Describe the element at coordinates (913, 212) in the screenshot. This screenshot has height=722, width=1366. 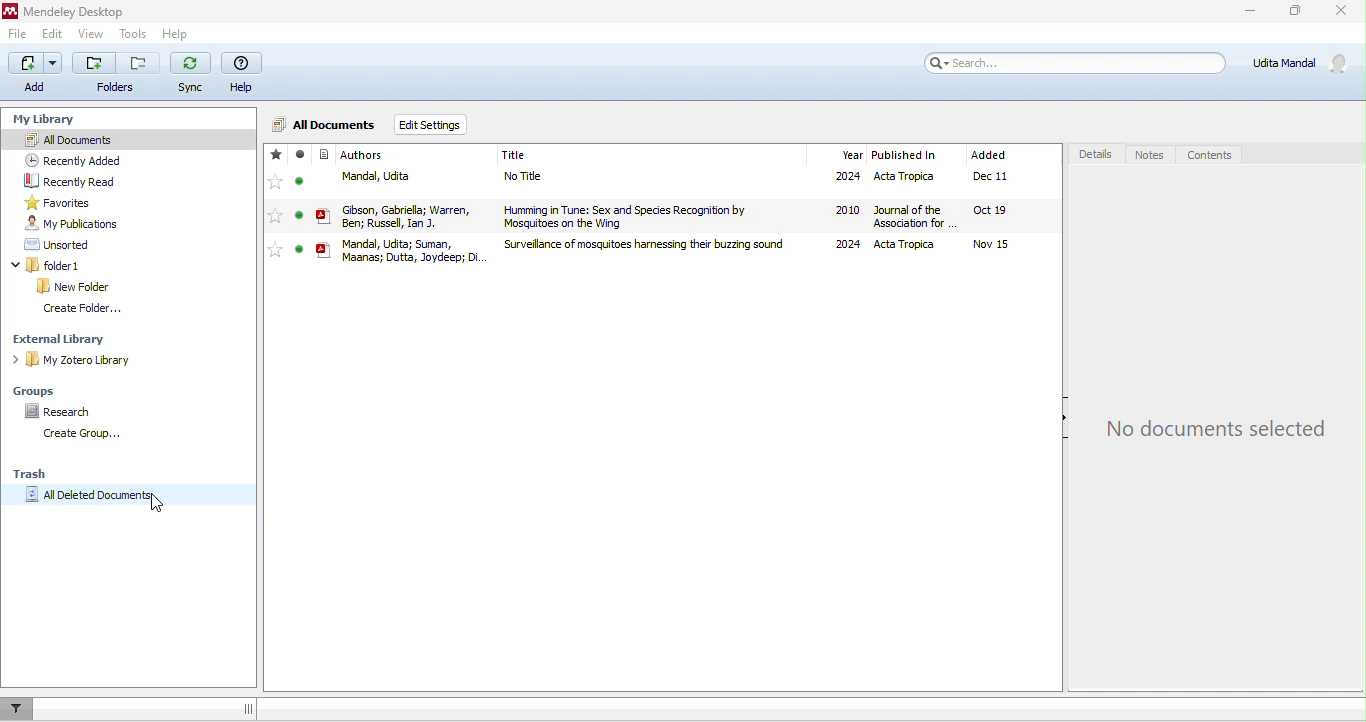
I see `Acta Tropica
Journal of the
‘Association for
Acta Tropica` at that location.